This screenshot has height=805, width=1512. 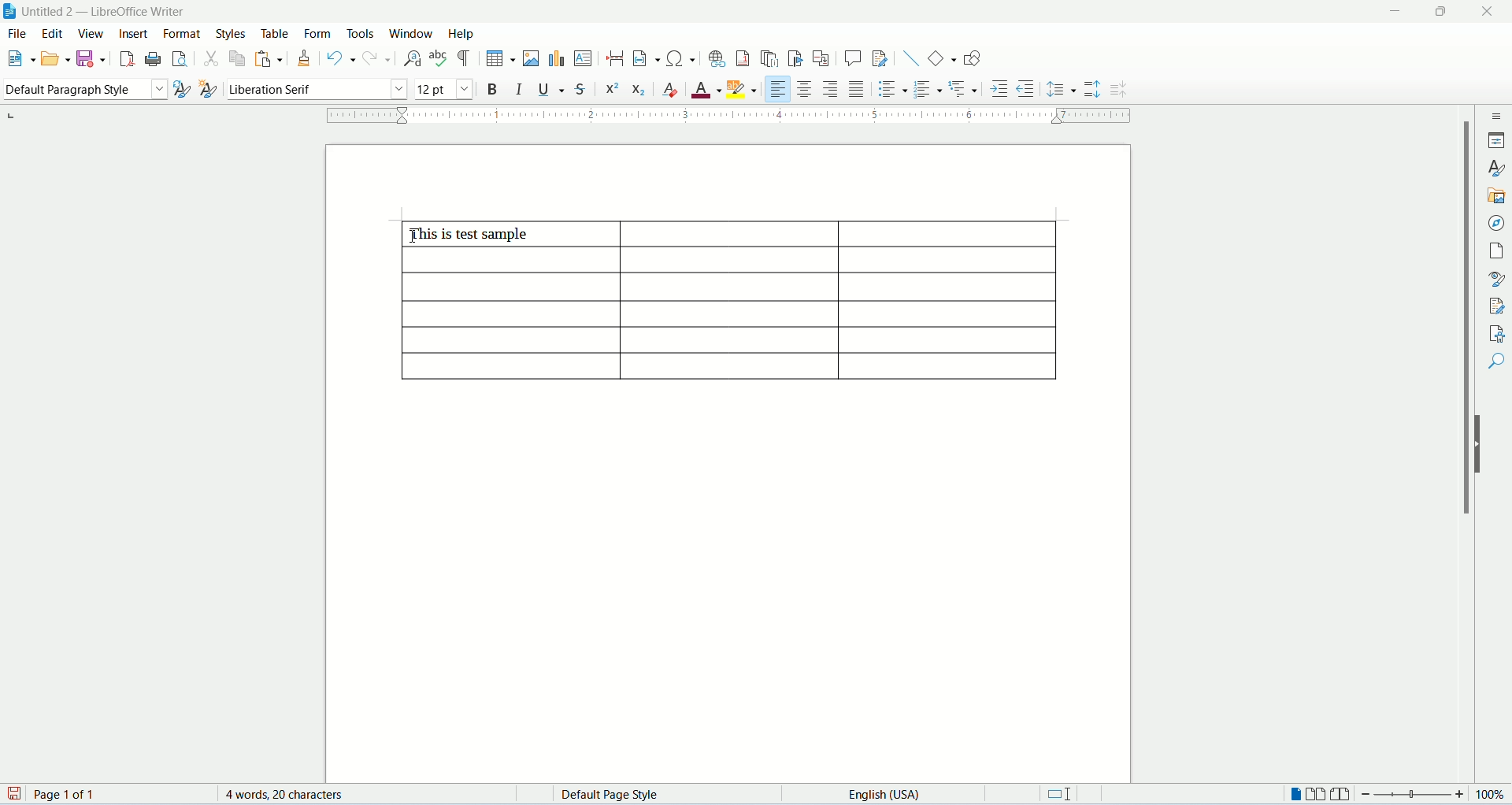 I want to click on insert special characters, so click(x=680, y=58).